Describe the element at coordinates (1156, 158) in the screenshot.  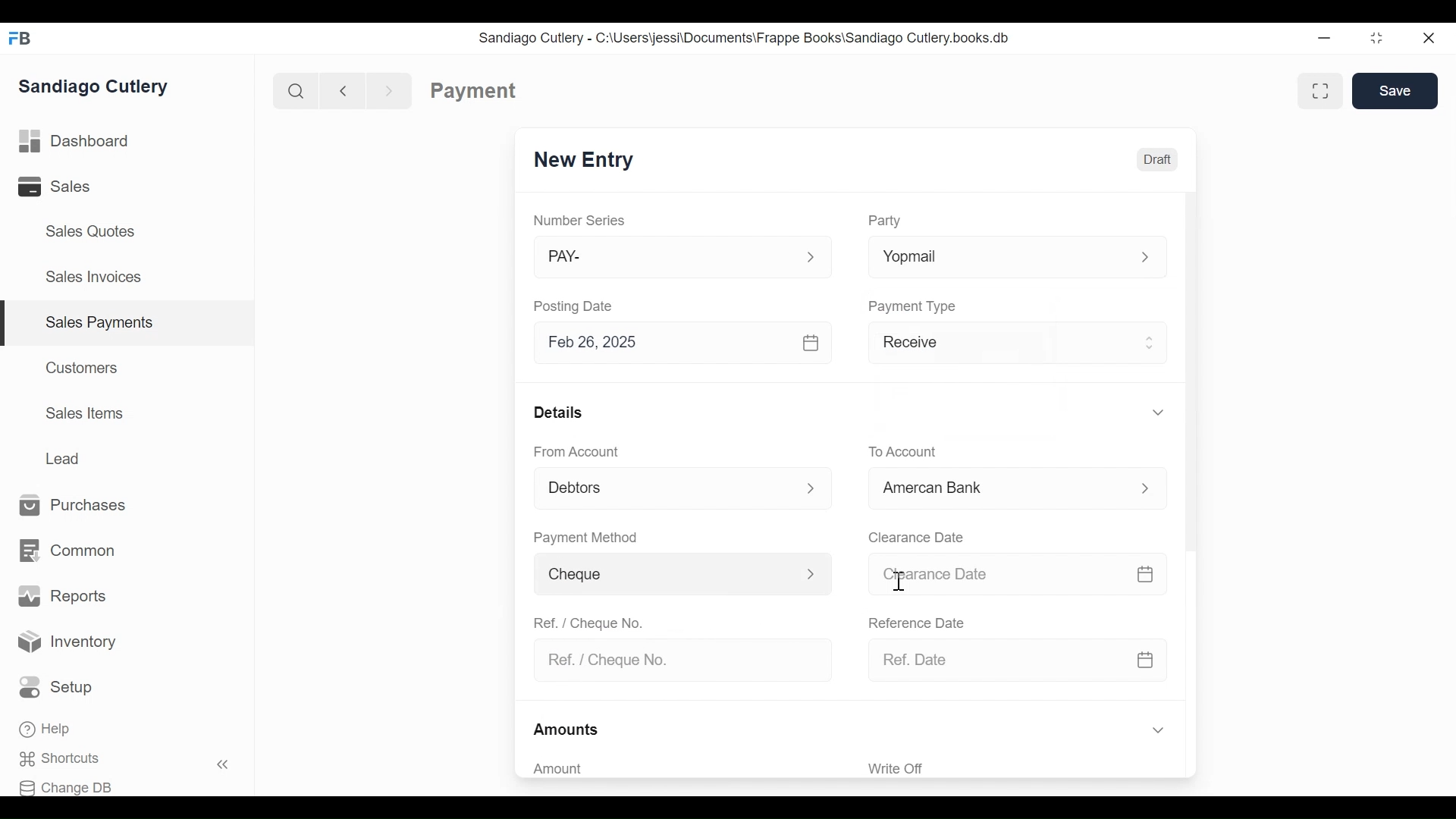
I see `Draft` at that location.